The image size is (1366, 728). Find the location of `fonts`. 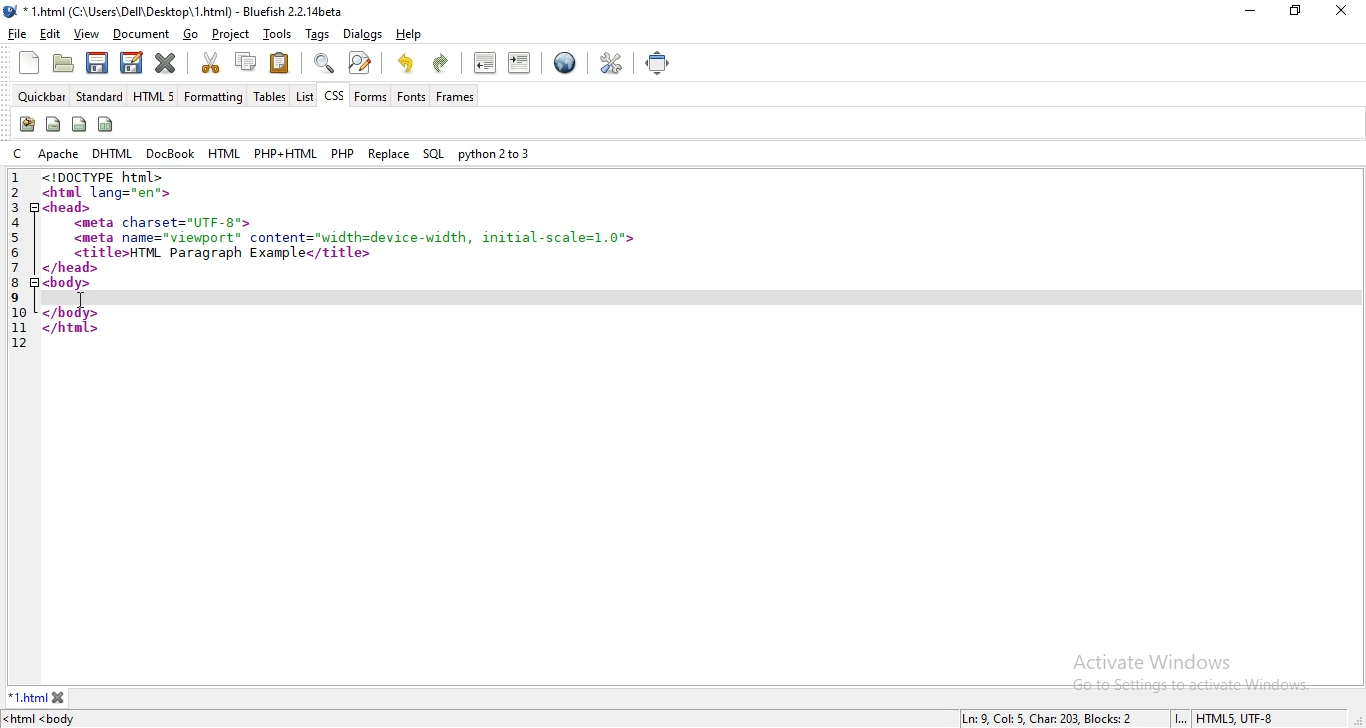

fonts is located at coordinates (411, 96).